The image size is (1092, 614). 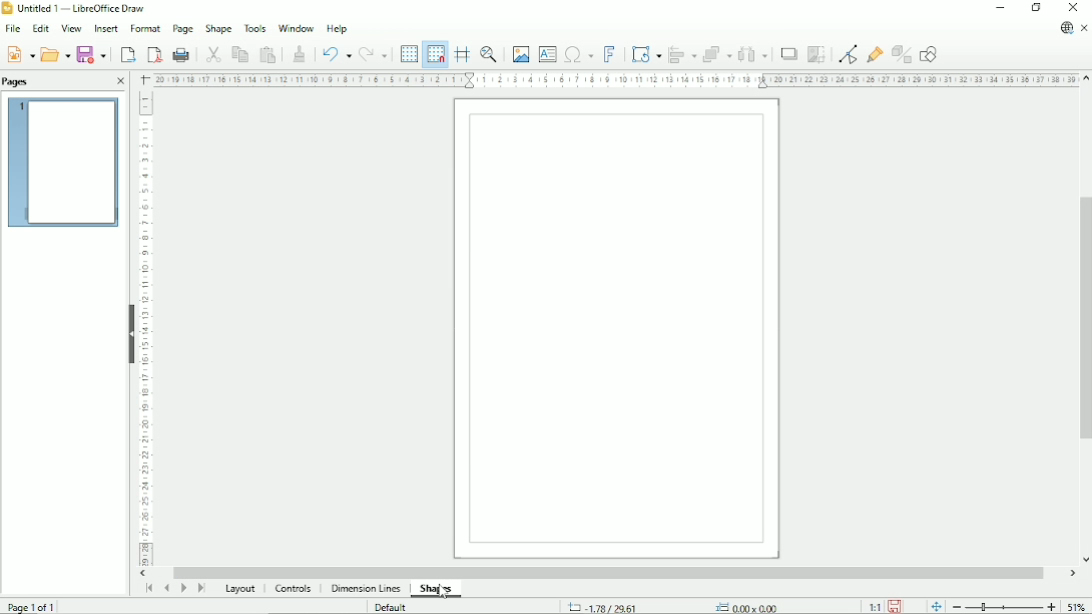 I want to click on Layout, so click(x=238, y=590).